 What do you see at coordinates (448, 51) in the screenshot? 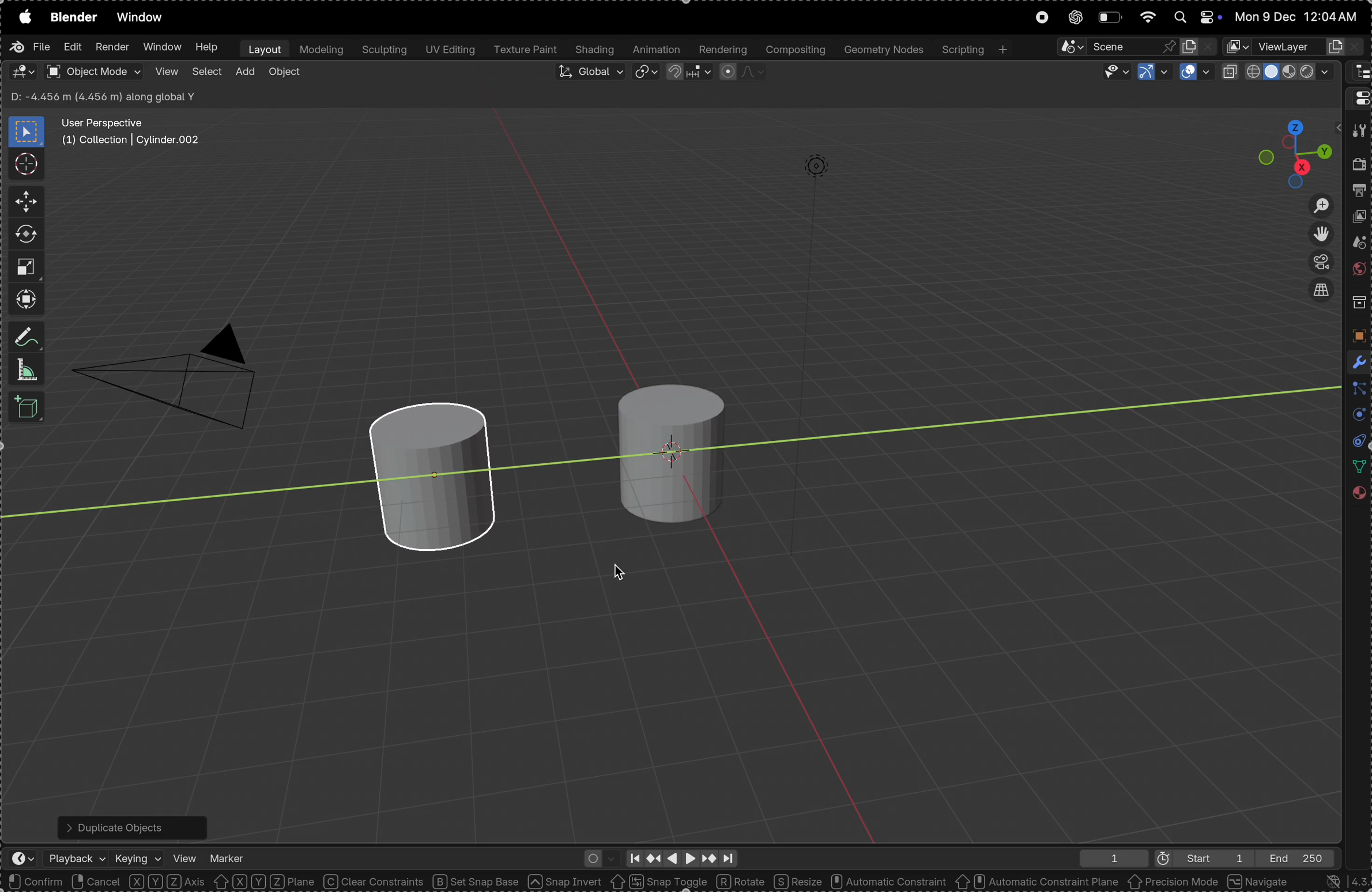
I see `uv editing` at bounding box center [448, 51].